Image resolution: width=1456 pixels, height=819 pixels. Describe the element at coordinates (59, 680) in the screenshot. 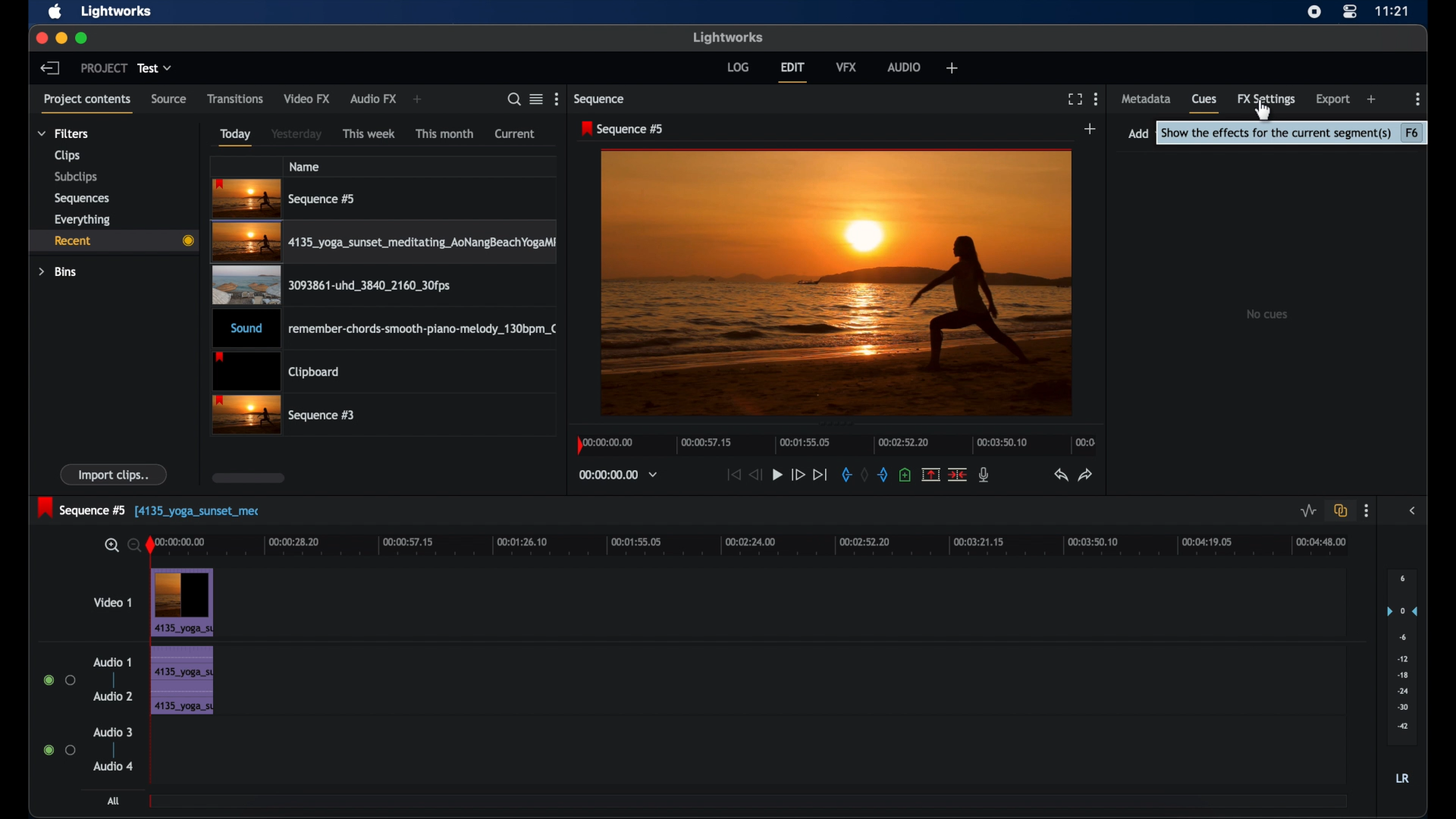

I see `radio button` at that location.